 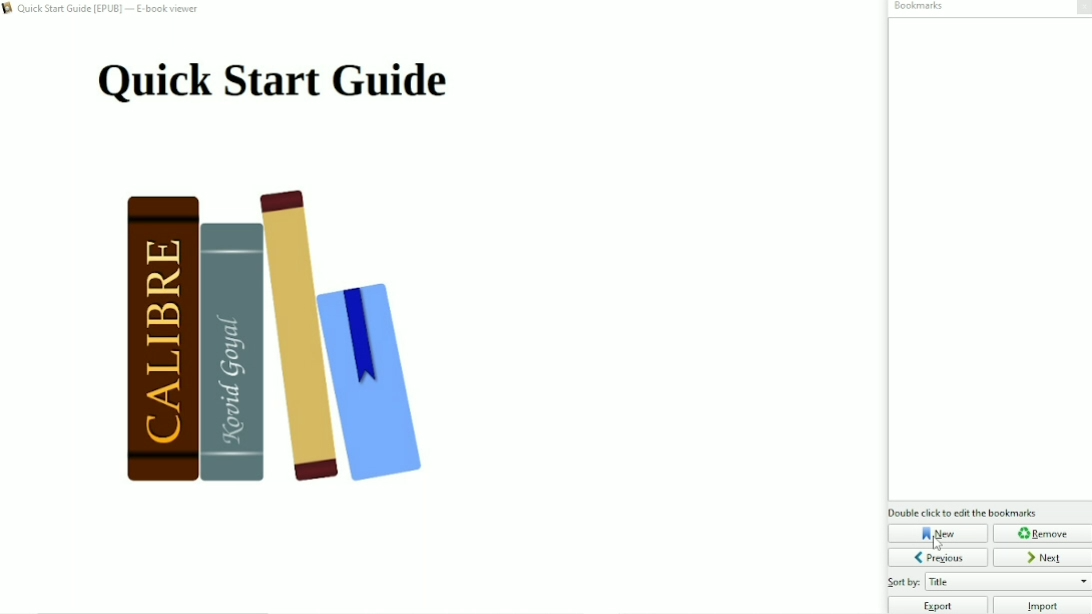 I want to click on Sort by, so click(x=988, y=582).